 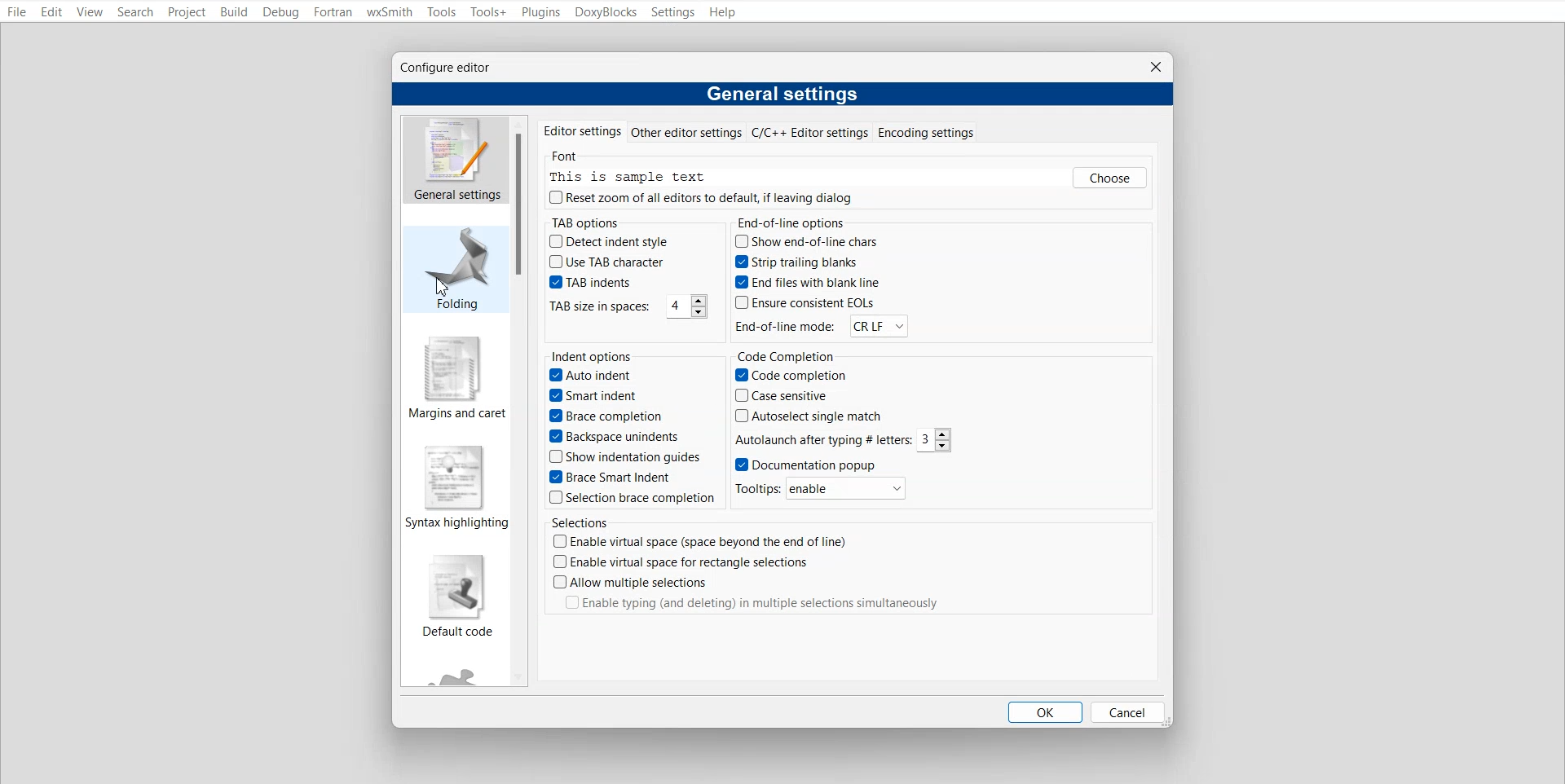 I want to click on Show indentation guides, so click(x=622, y=459).